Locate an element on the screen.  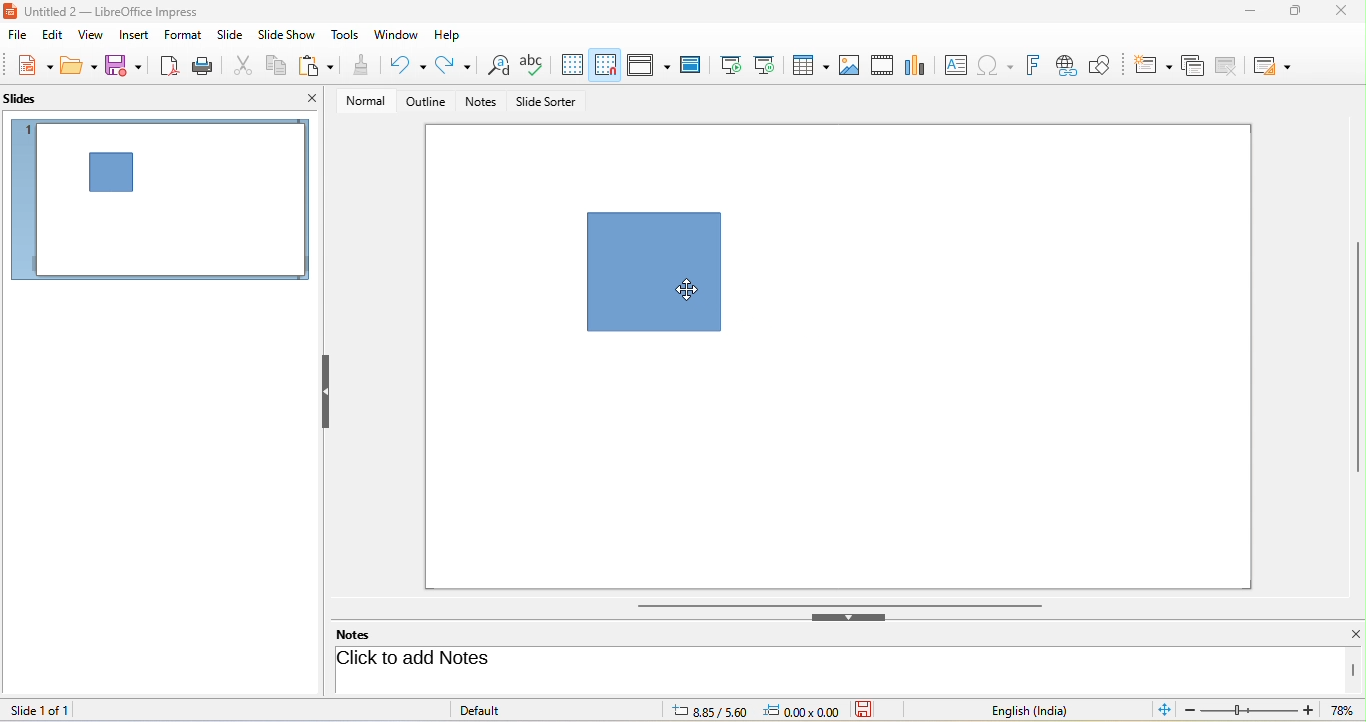
open is located at coordinates (79, 68).